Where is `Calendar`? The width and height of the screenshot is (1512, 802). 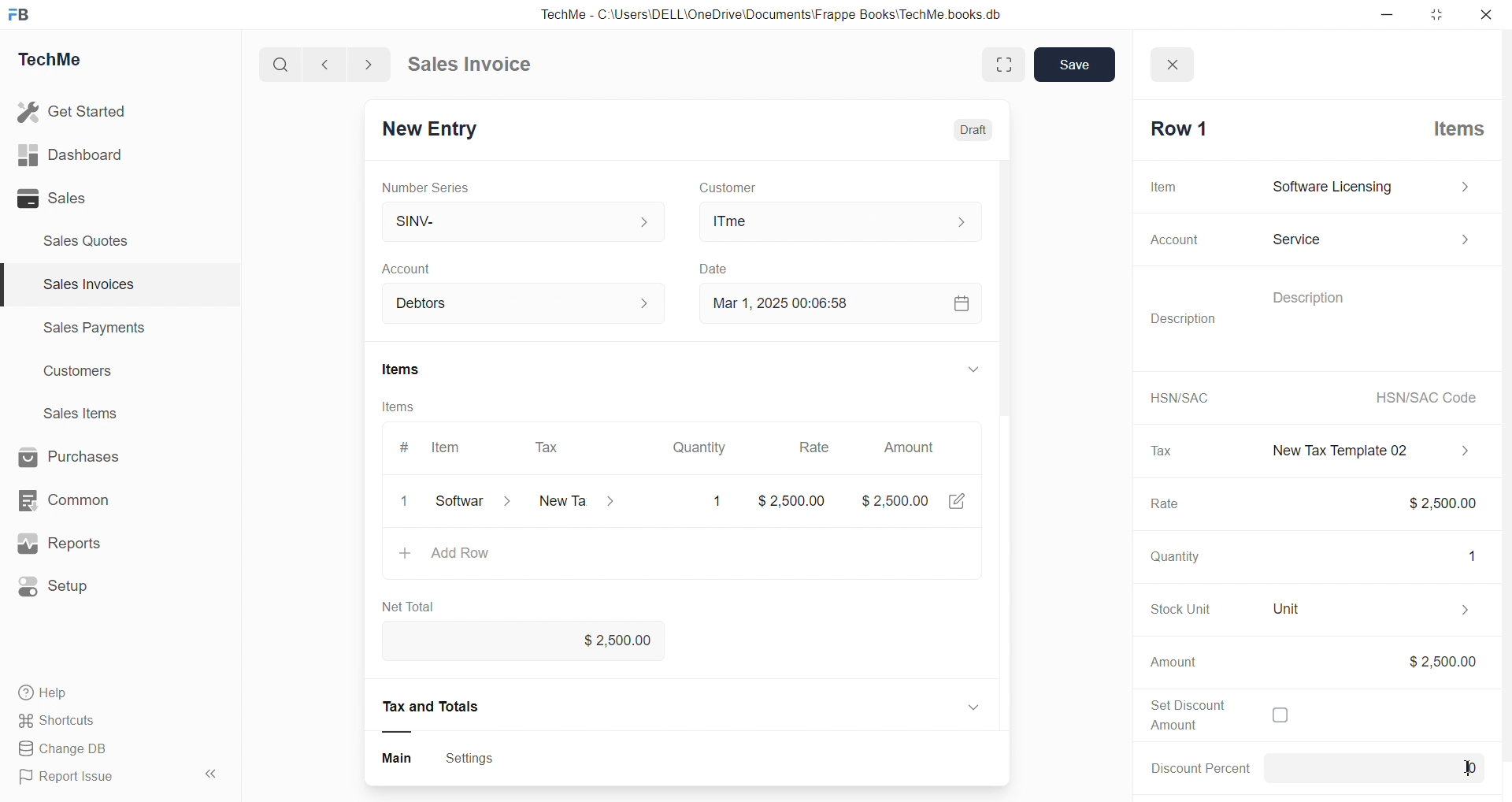 Calendar is located at coordinates (957, 306).